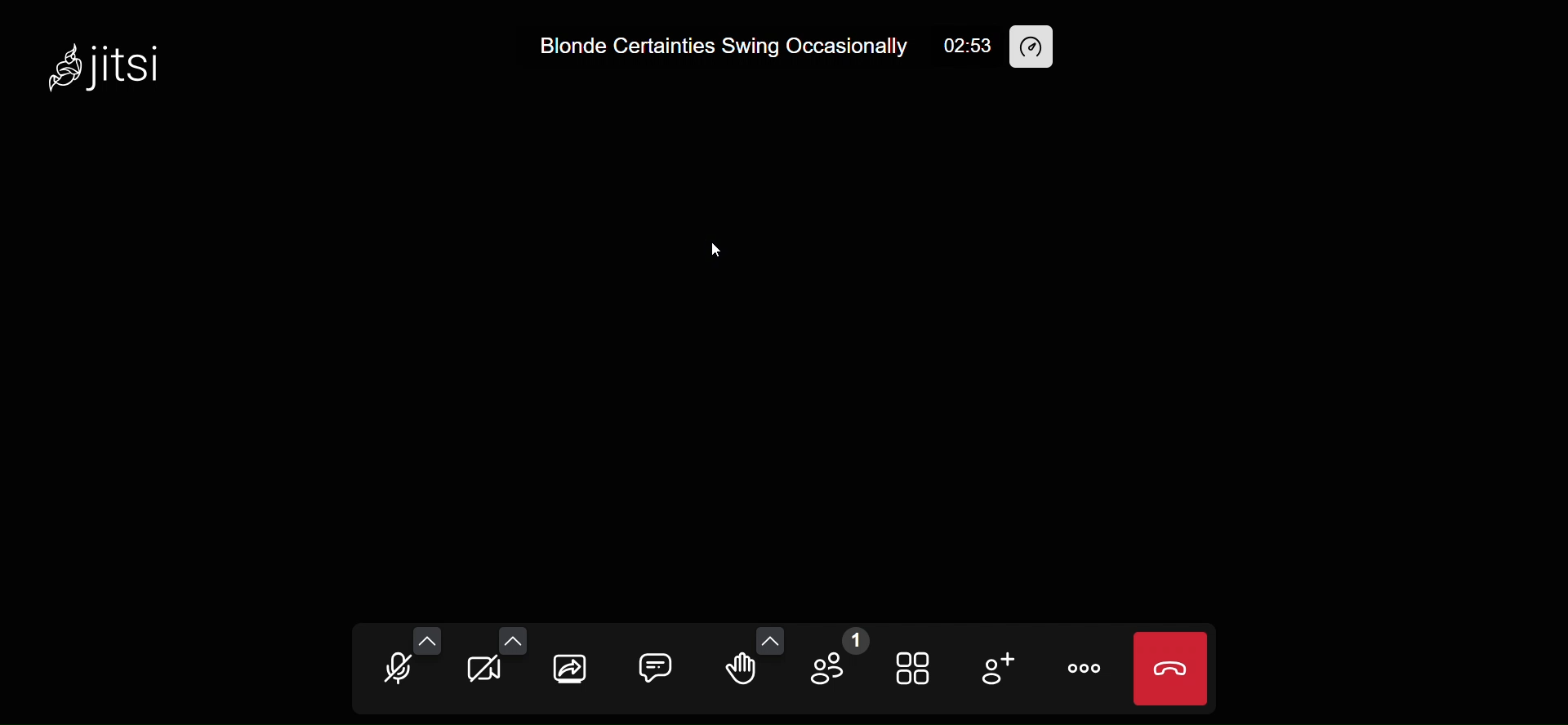 The width and height of the screenshot is (1568, 725). What do you see at coordinates (737, 669) in the screenshot?
I see `raise hand` at bounding box center [737, 669].